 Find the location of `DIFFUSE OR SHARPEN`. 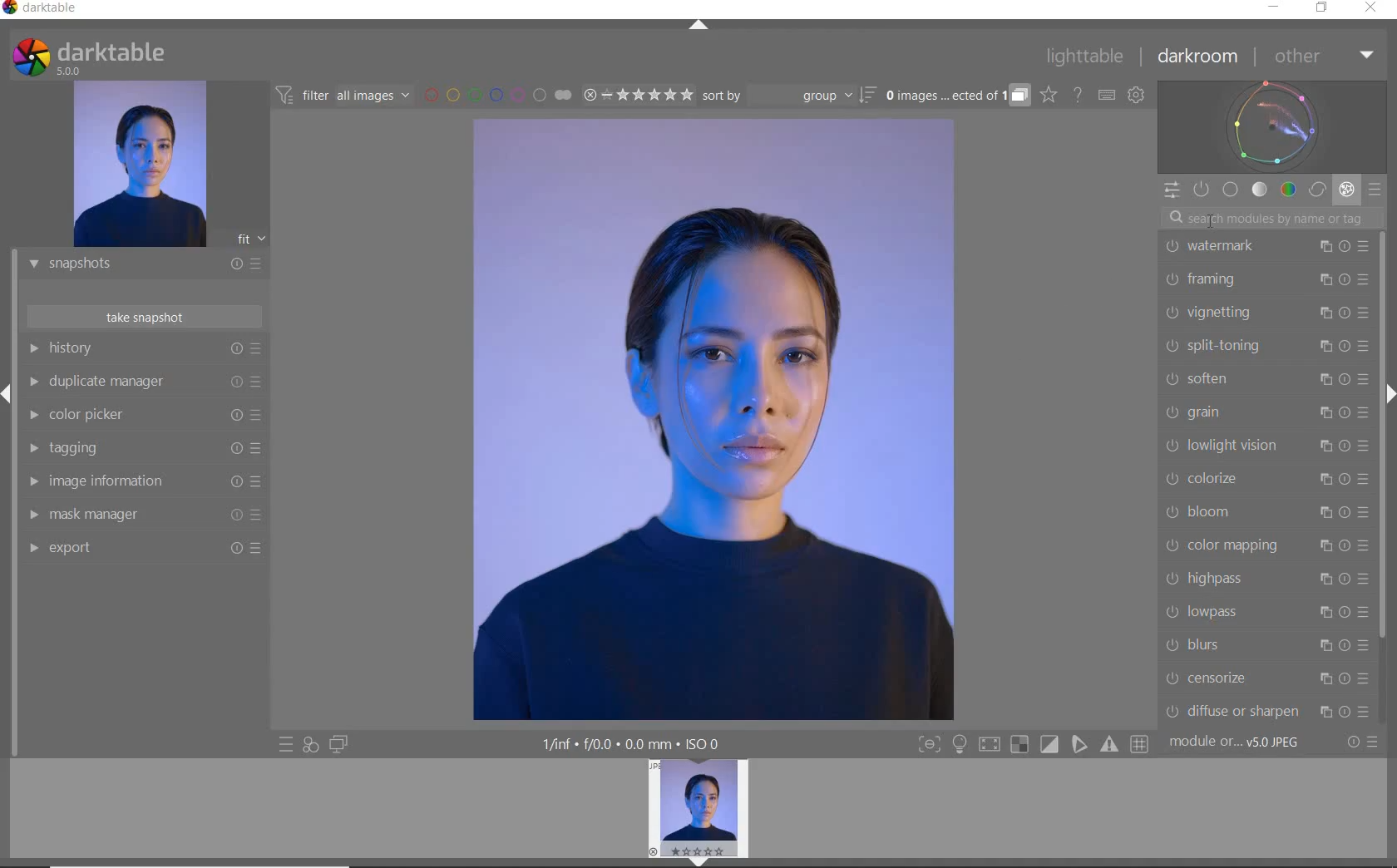

DIFFUSE OR SHARPEN is located at coordinates (1267, 711).